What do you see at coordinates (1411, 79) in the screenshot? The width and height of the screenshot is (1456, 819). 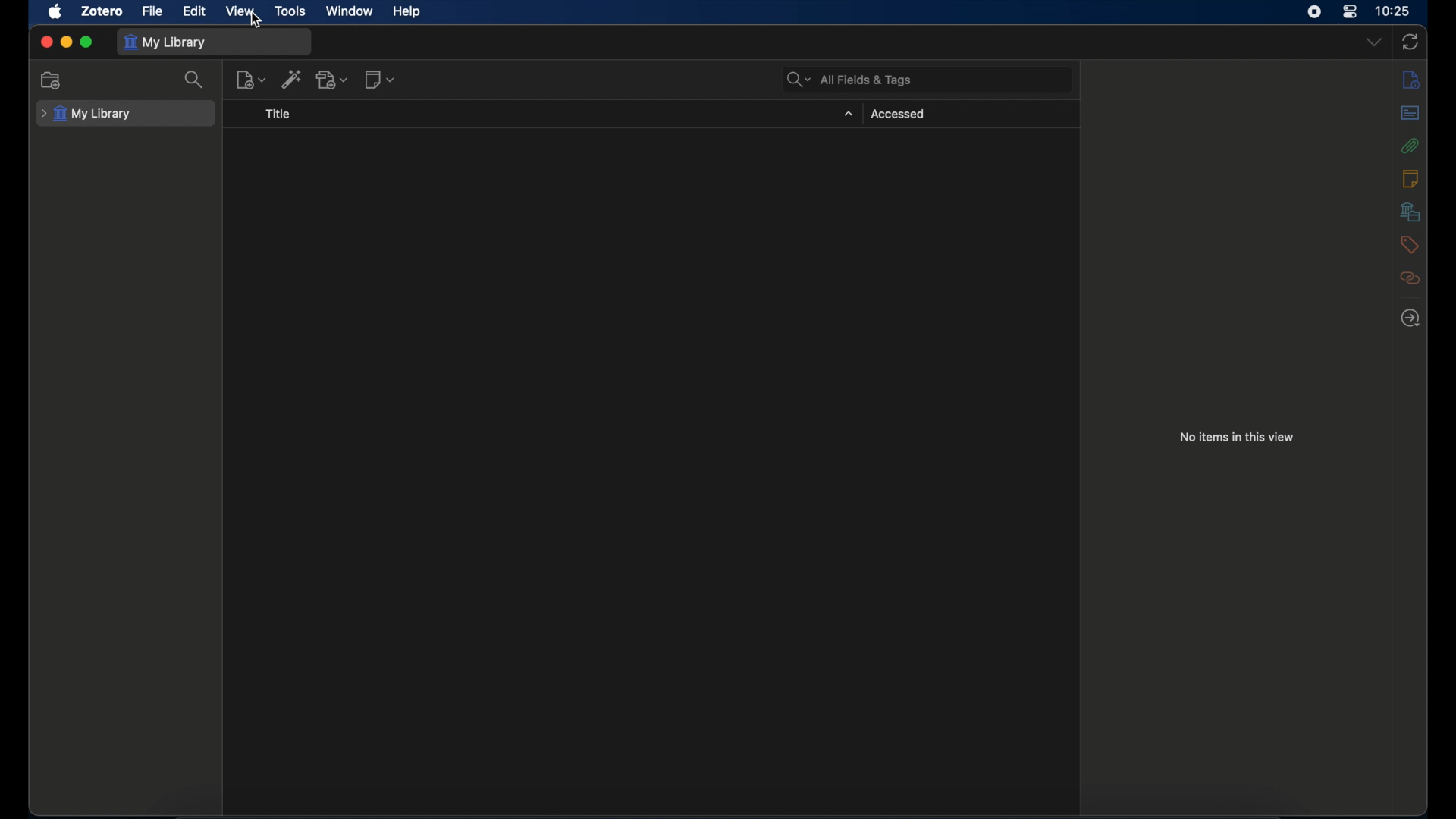 I see `notes` at bounding box center [1411, 79].